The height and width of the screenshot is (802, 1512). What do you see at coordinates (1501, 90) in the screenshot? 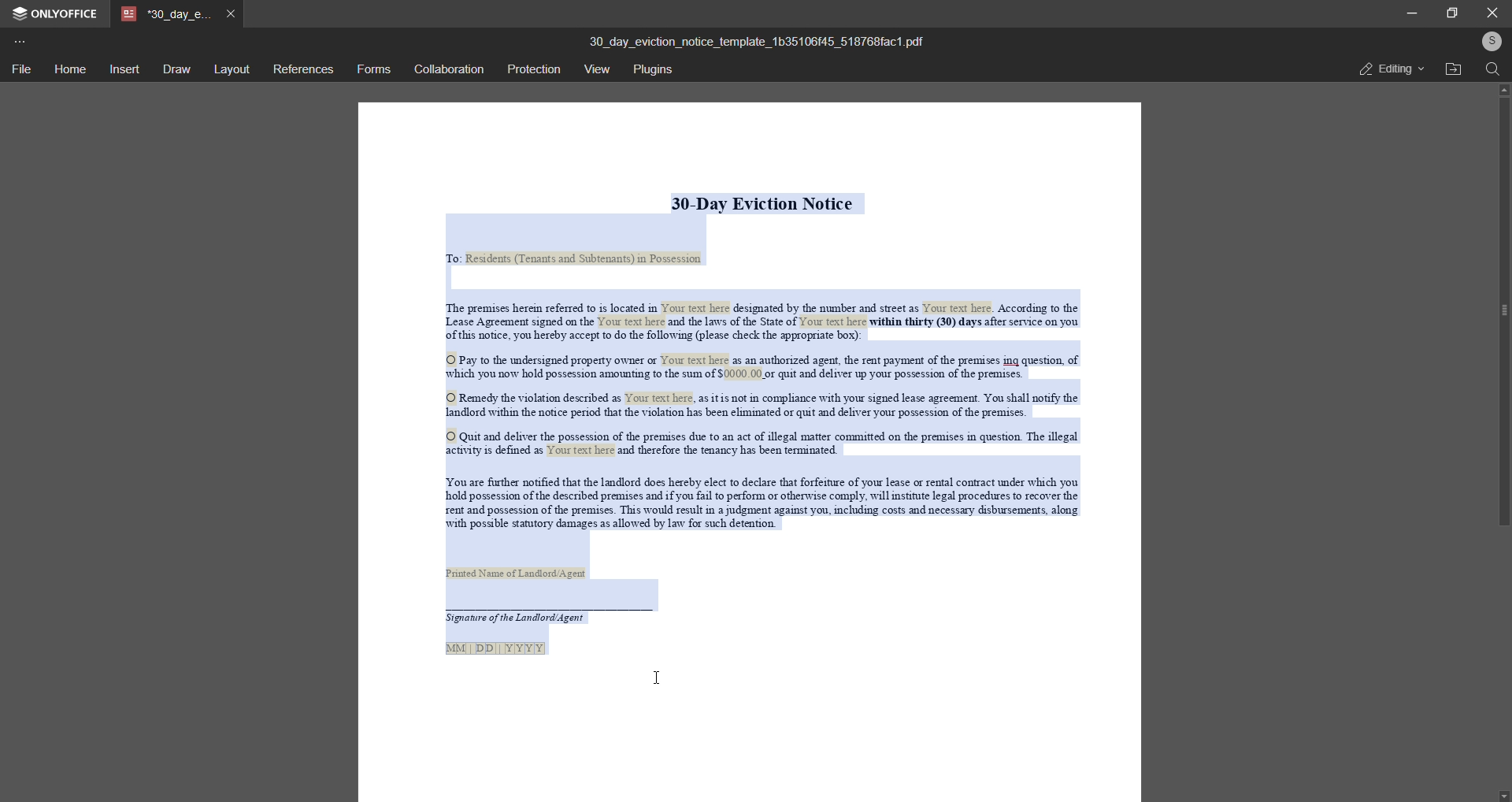
I see `scroll up` at bounding box center [1501, 90].